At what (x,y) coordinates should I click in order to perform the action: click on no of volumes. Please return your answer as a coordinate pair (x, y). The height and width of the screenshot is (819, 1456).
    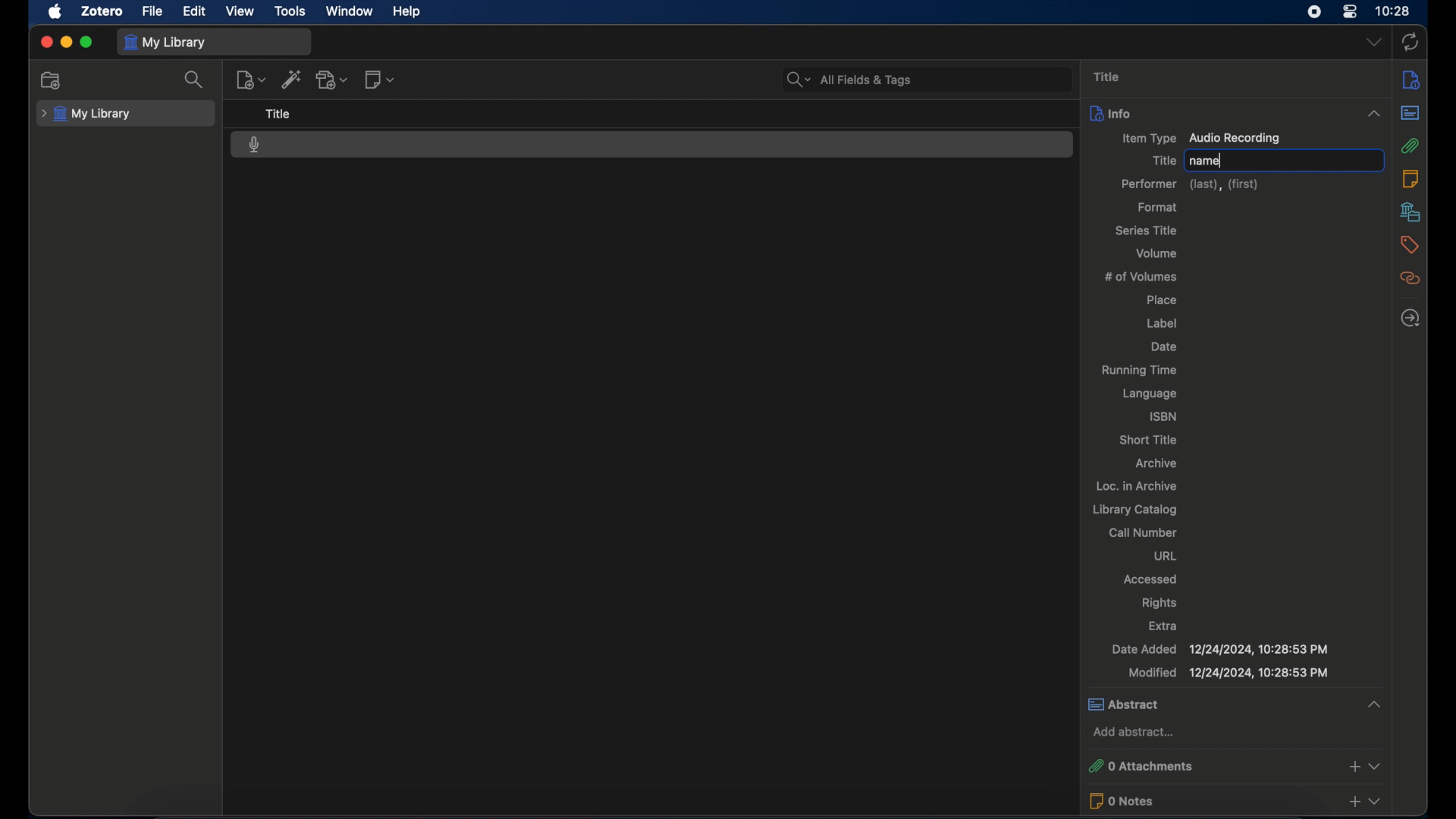
    Looking at the image, I should click on (1144, 277).